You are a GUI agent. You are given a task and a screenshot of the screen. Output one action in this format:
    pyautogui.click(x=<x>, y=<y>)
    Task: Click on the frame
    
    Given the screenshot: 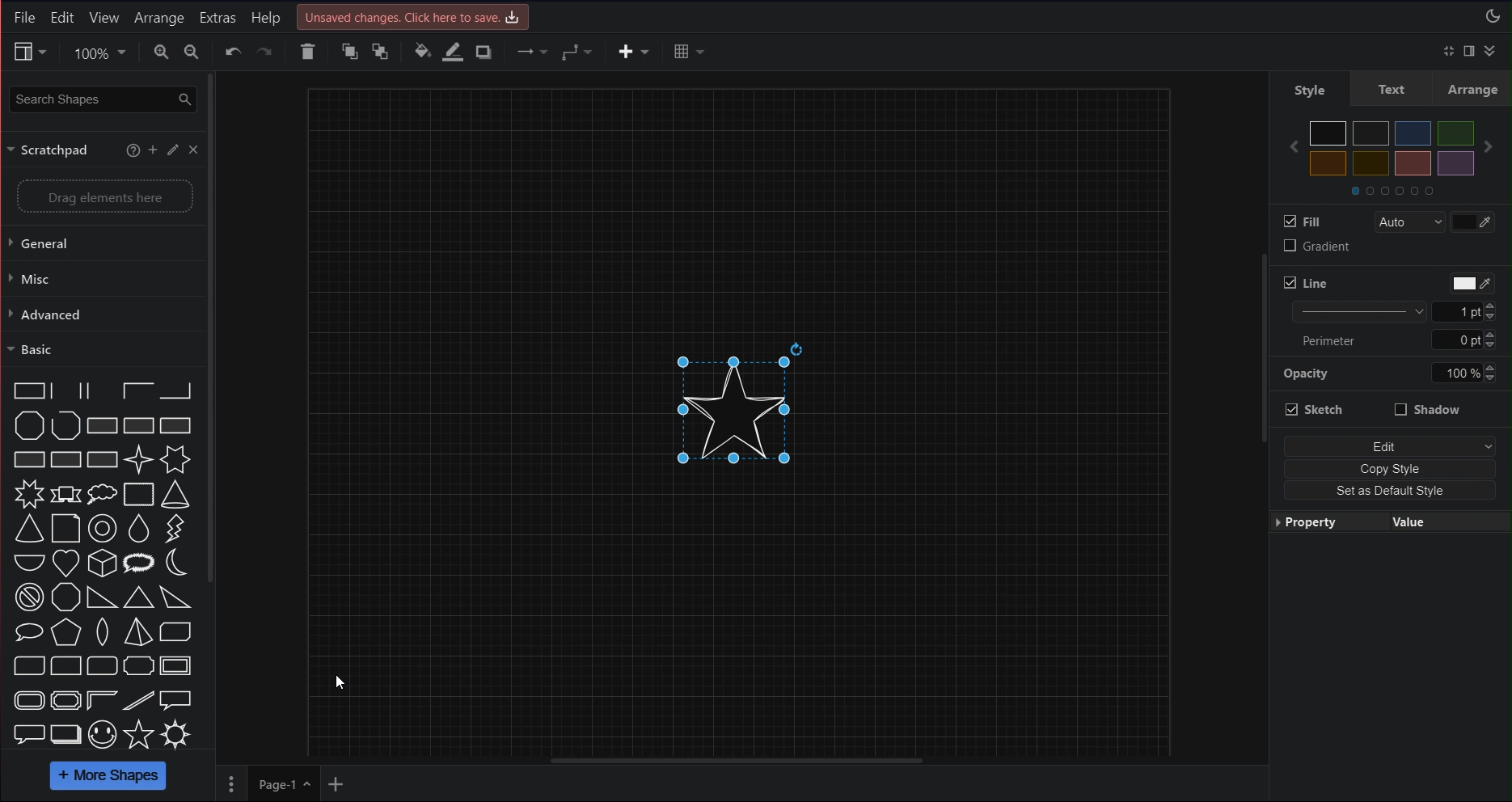 What is the action you would take?
    pyautogui.click(x=177, y=665)
    